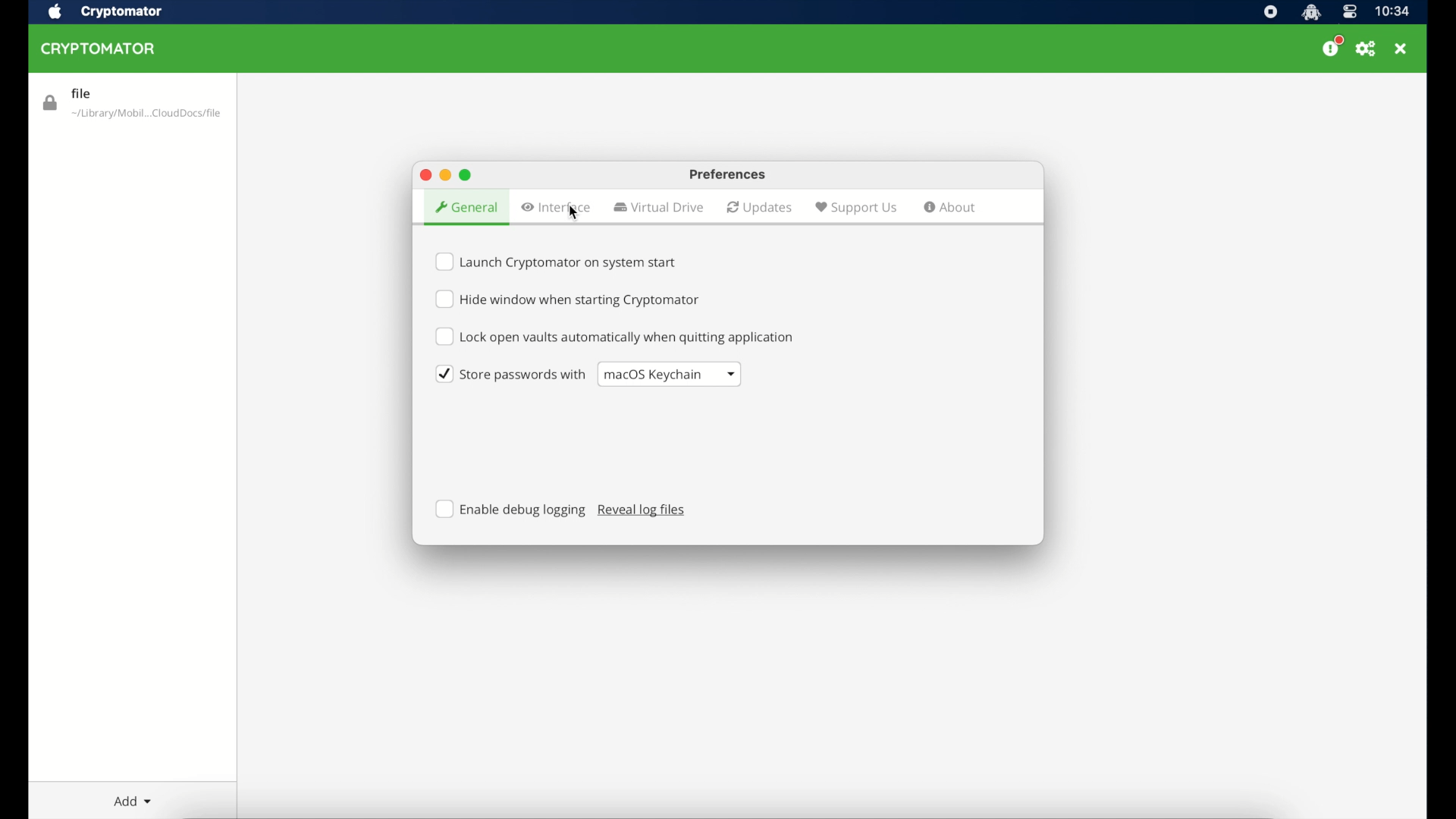 The height and width of the screenshot is (819, 1456). I want to click on checkbox, so click(569, 299).